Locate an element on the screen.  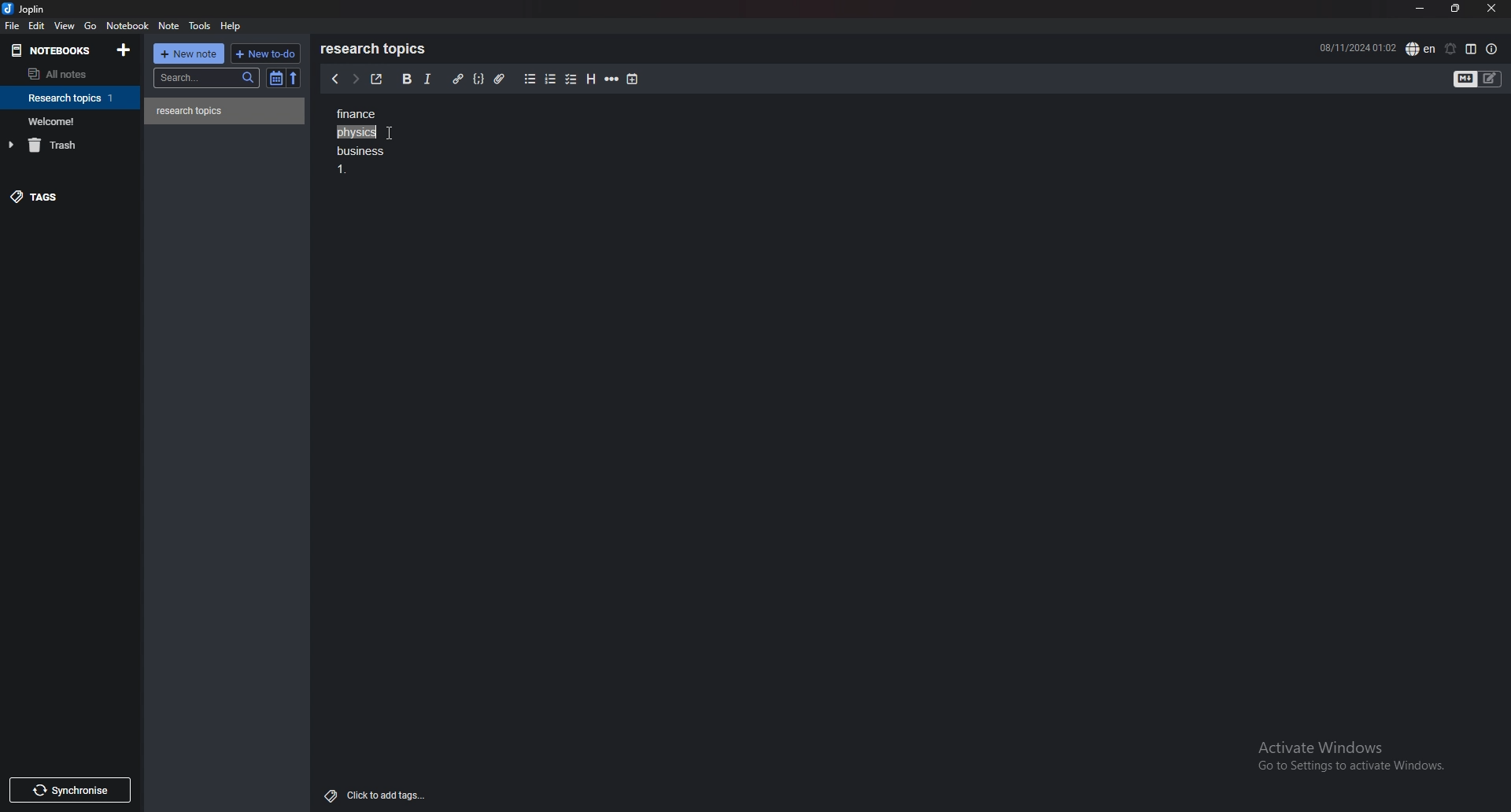
close is located at coordinates (1491, 9).